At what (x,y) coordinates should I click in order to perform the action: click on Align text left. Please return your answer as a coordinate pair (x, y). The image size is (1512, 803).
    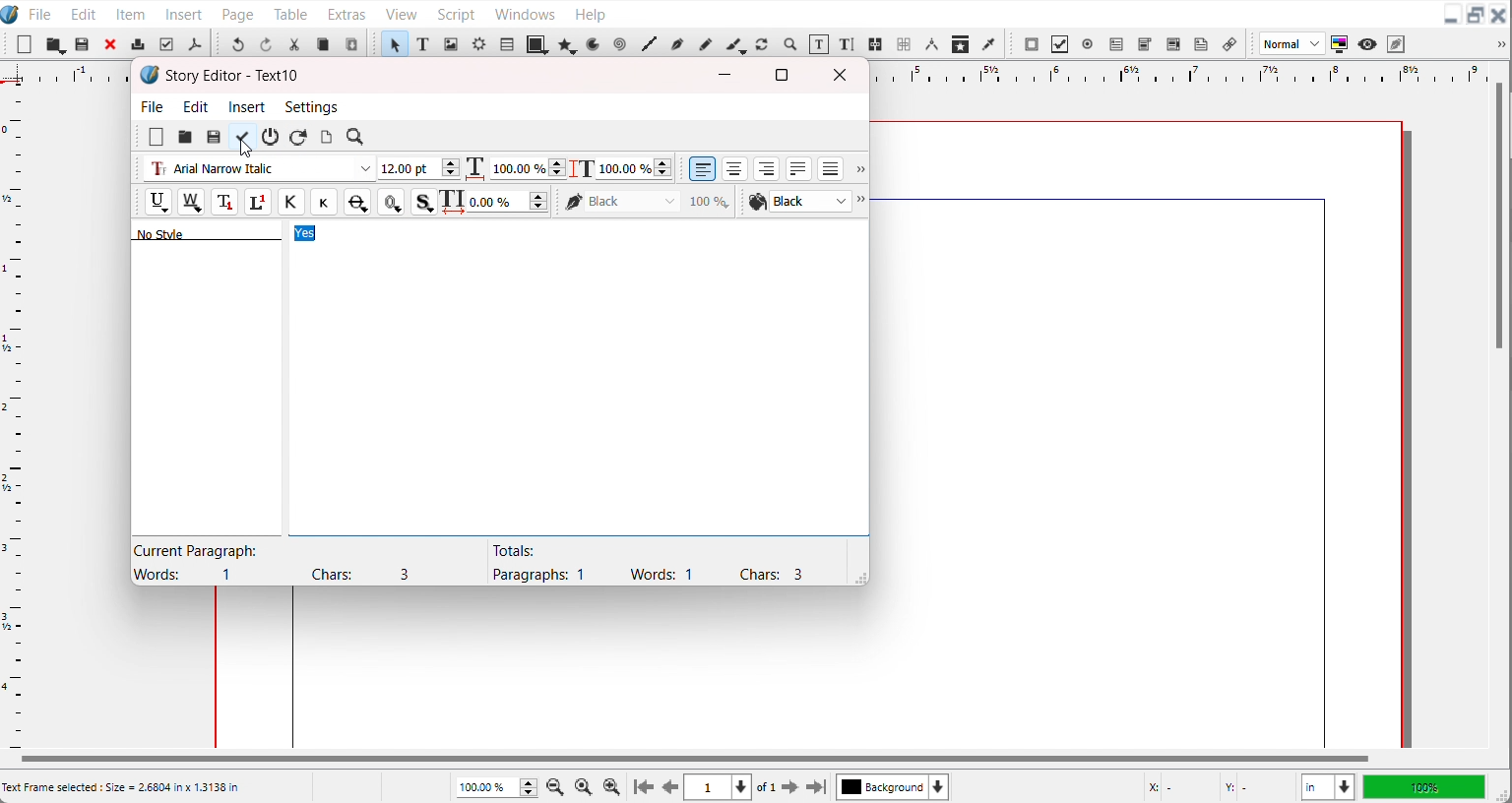
    Looking at the image, I should click on (703, 168).